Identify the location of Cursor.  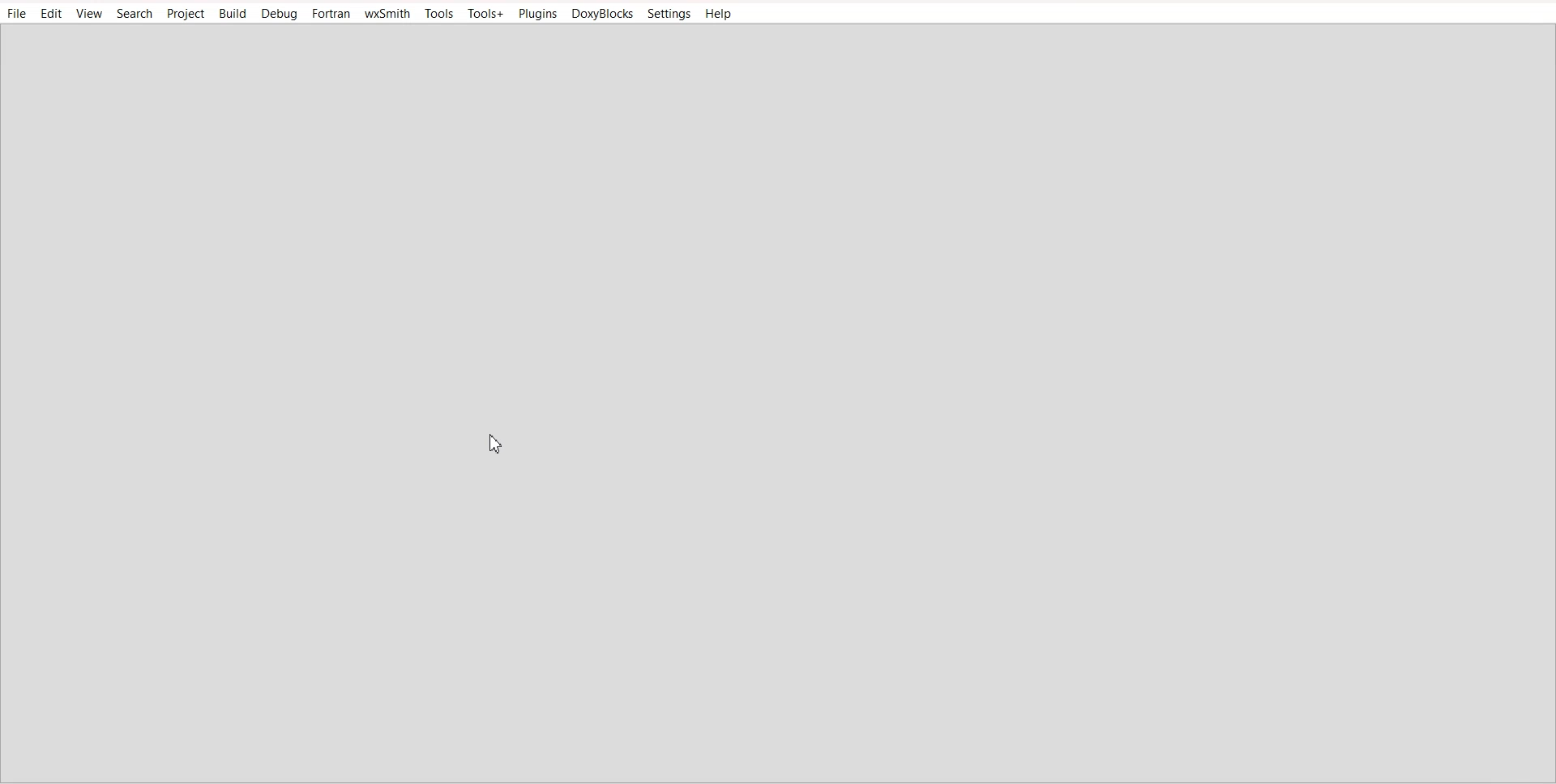
(498, 443).